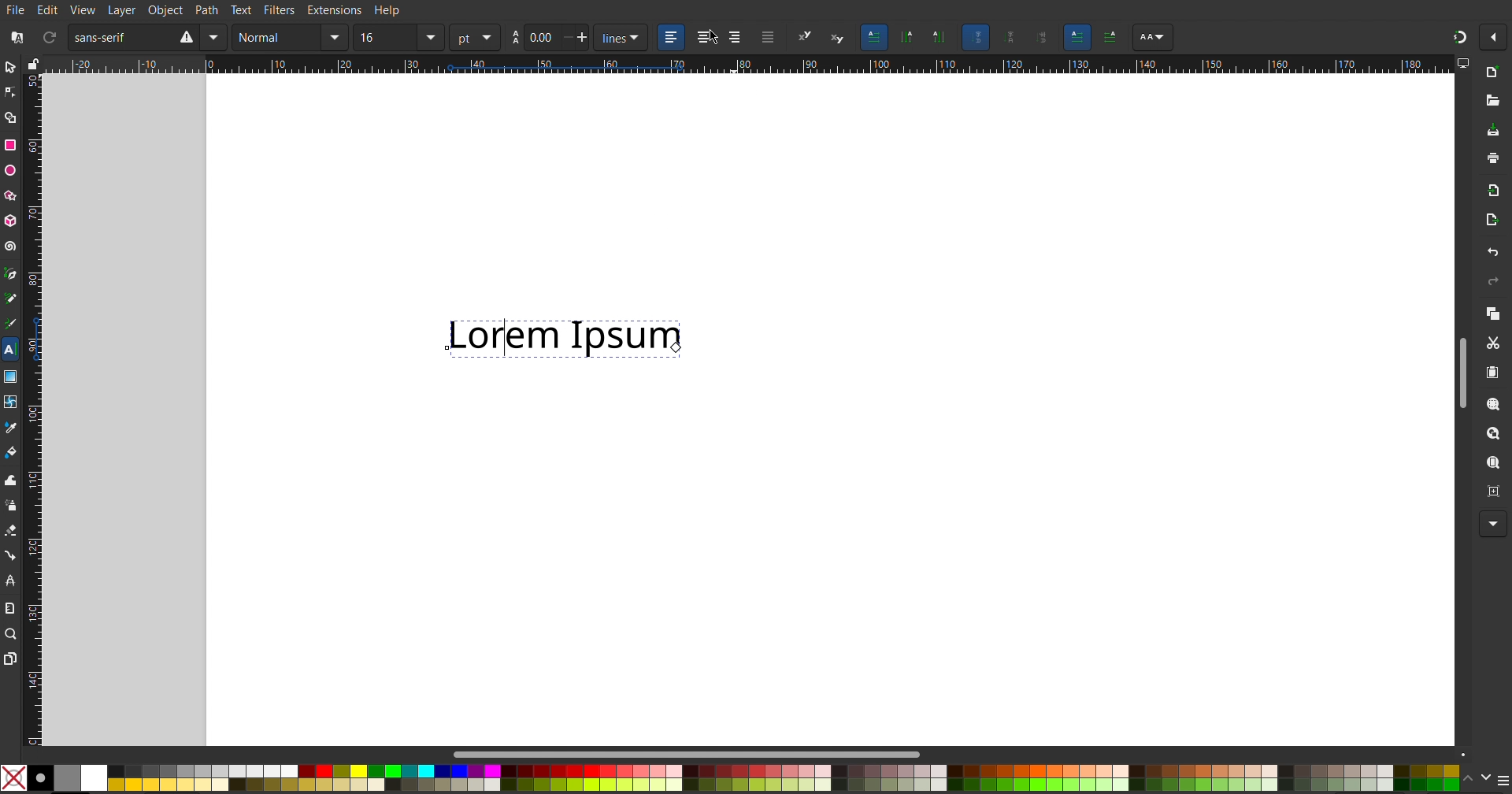  What do you see at coordinates (1493, 523) in the screenshot?
I see `More` at bounding box center [1493, 523].